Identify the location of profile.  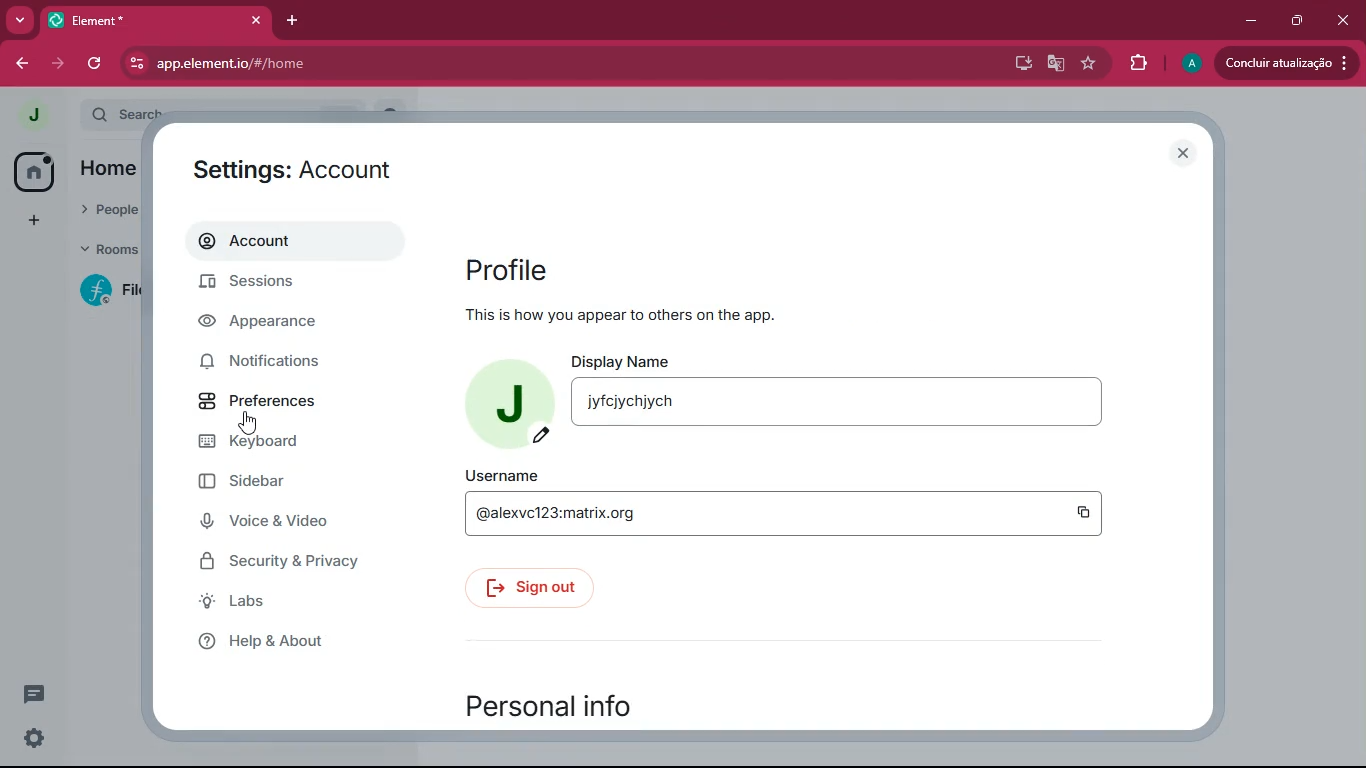
(508, 267).